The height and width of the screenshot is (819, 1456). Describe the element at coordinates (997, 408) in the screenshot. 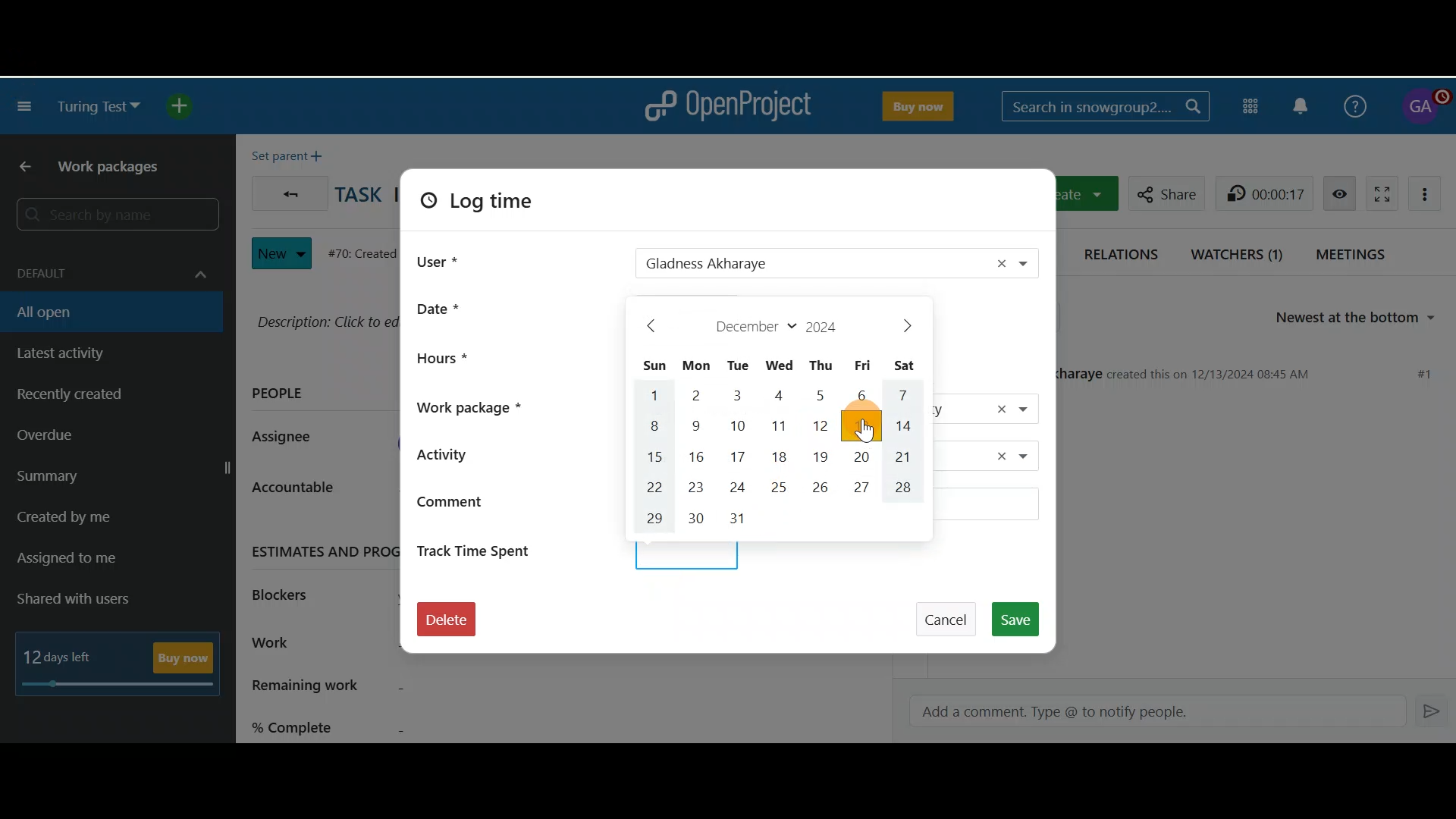

I see `Remove` at that location.